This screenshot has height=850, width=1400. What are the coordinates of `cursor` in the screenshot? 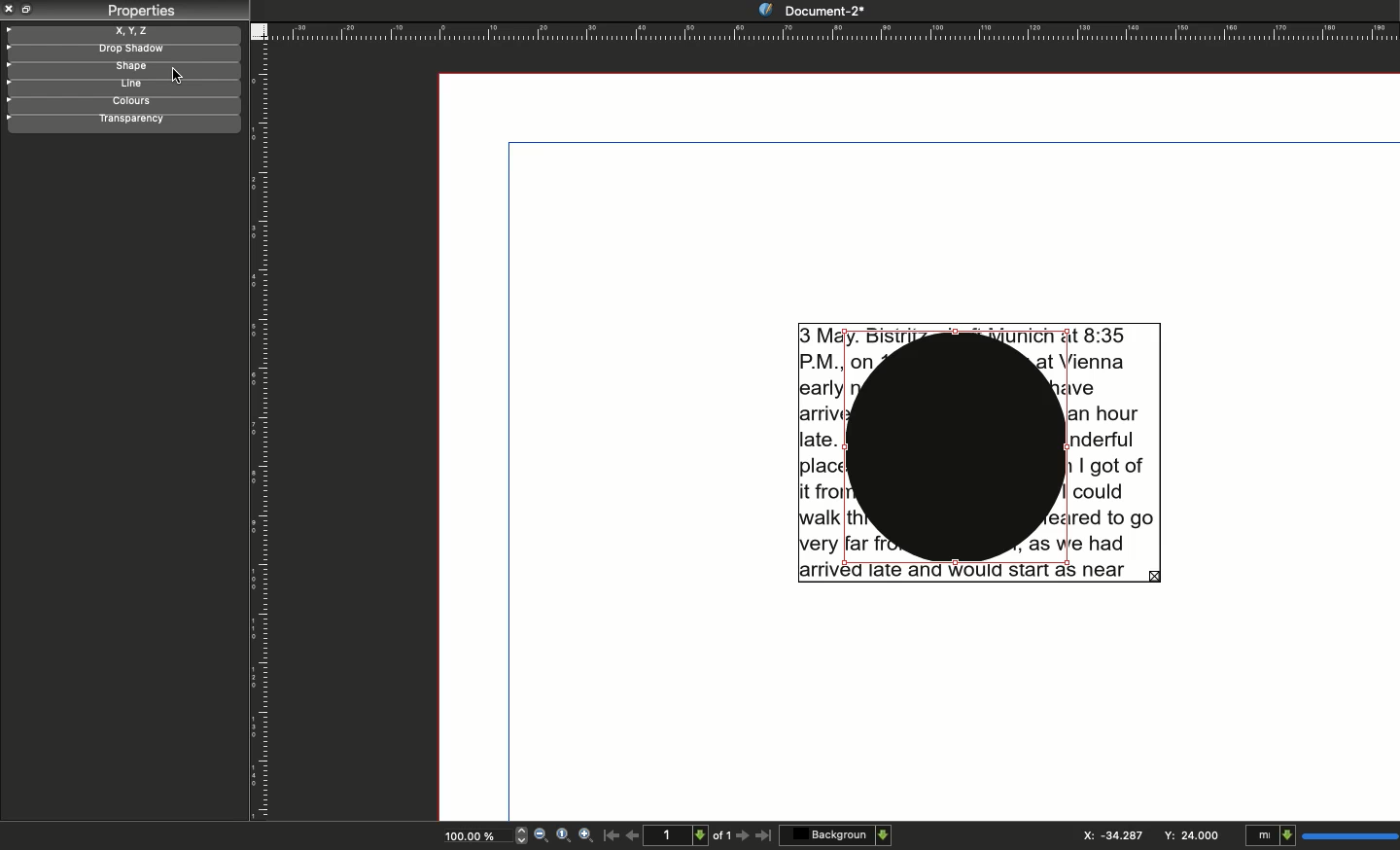 It's located at (181, 74).